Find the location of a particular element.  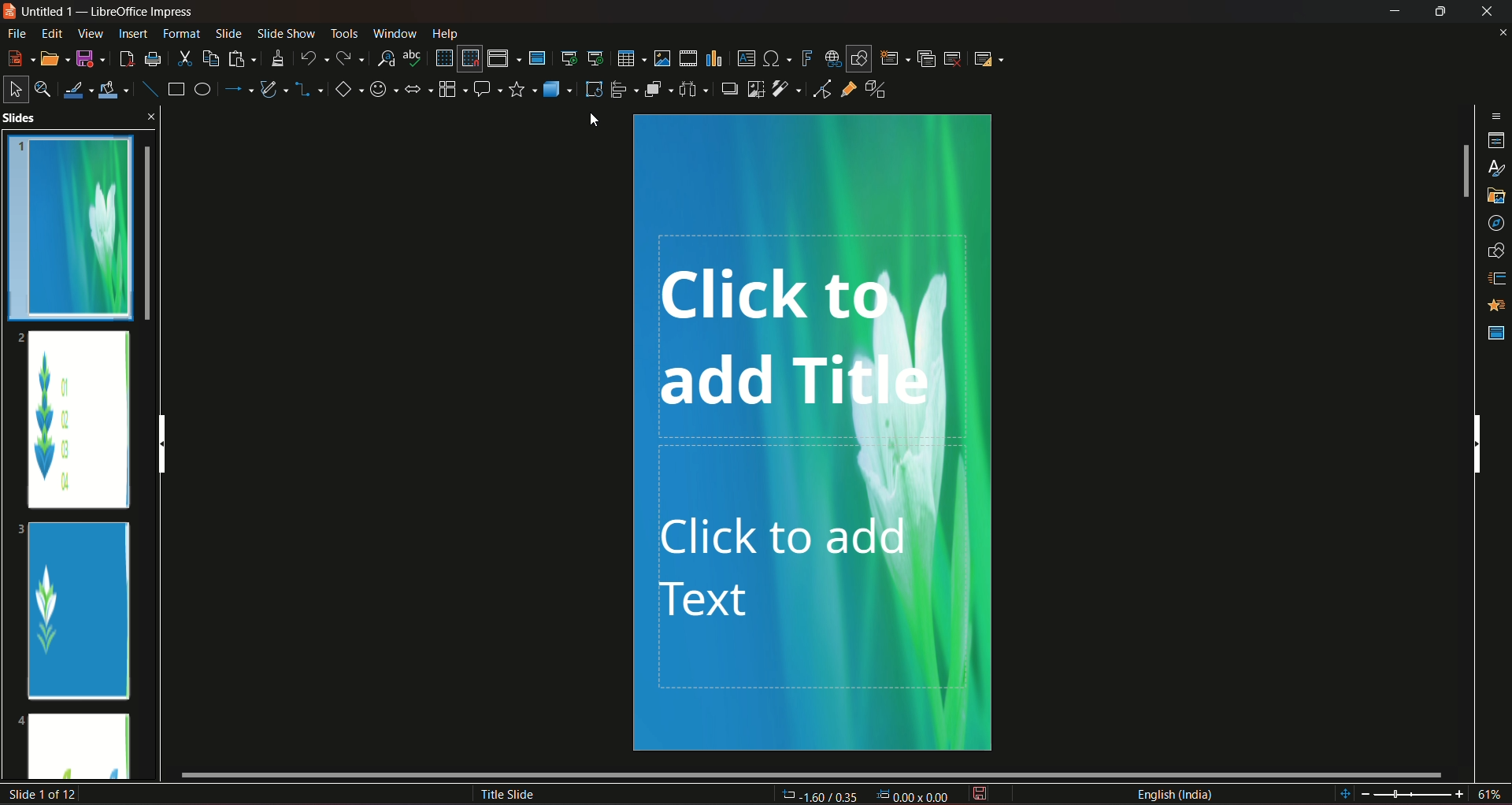

insert line is located at coordinates (148, 86).